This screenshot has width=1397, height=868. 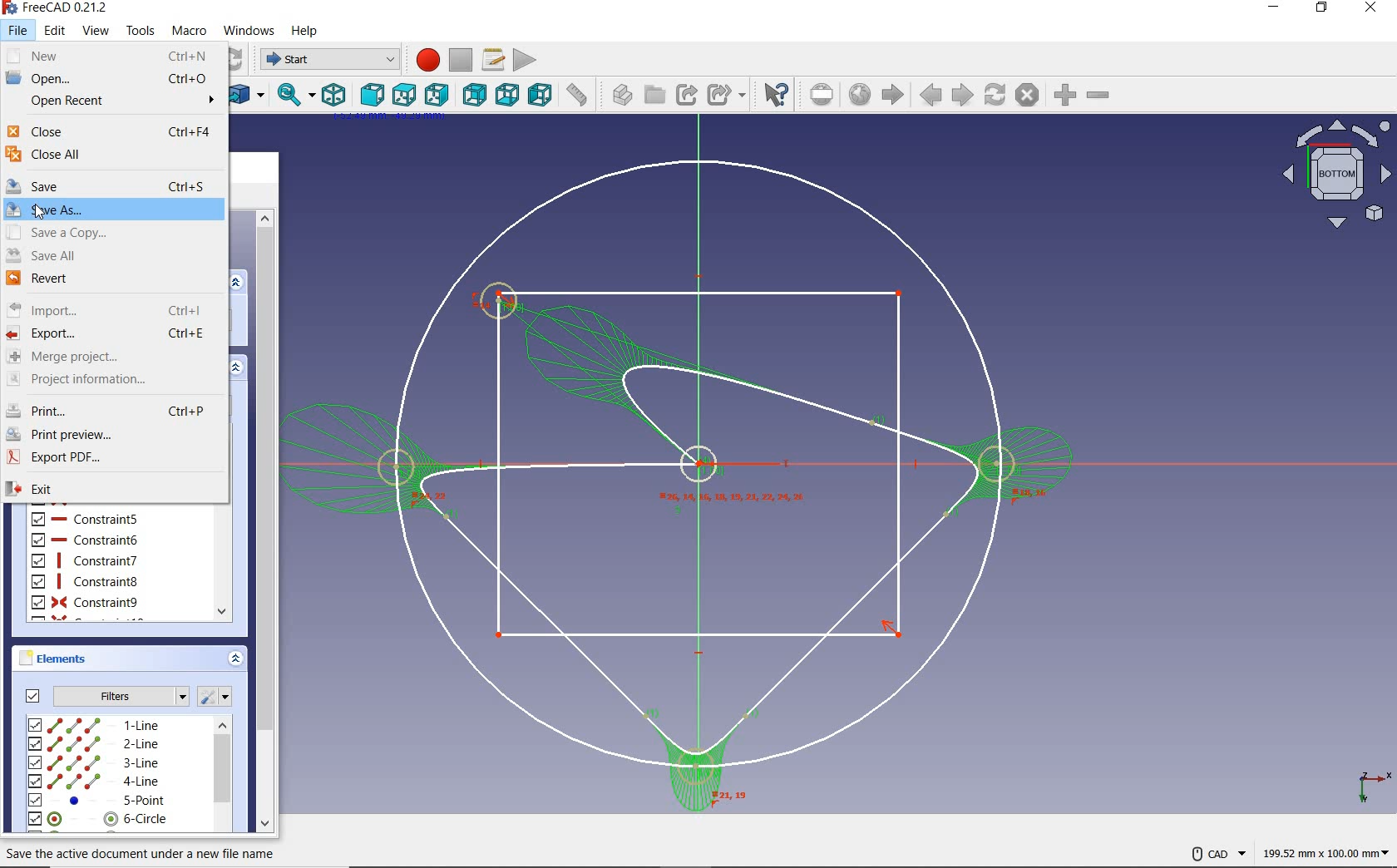 I want to click on make link, so click(x=686, y=94).